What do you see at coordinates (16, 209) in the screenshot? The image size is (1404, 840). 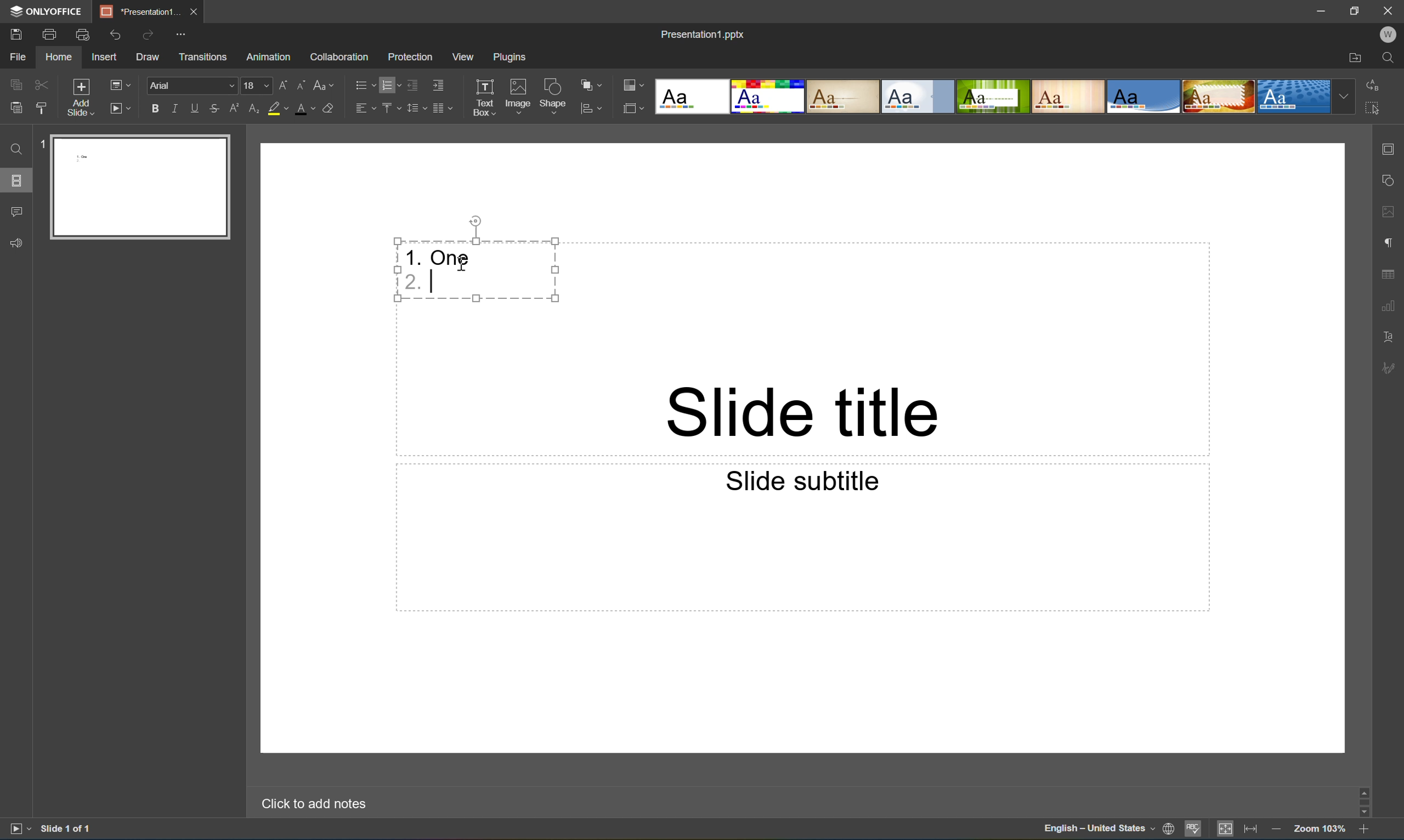 I see `Comments` at bounding box center [16, 209].